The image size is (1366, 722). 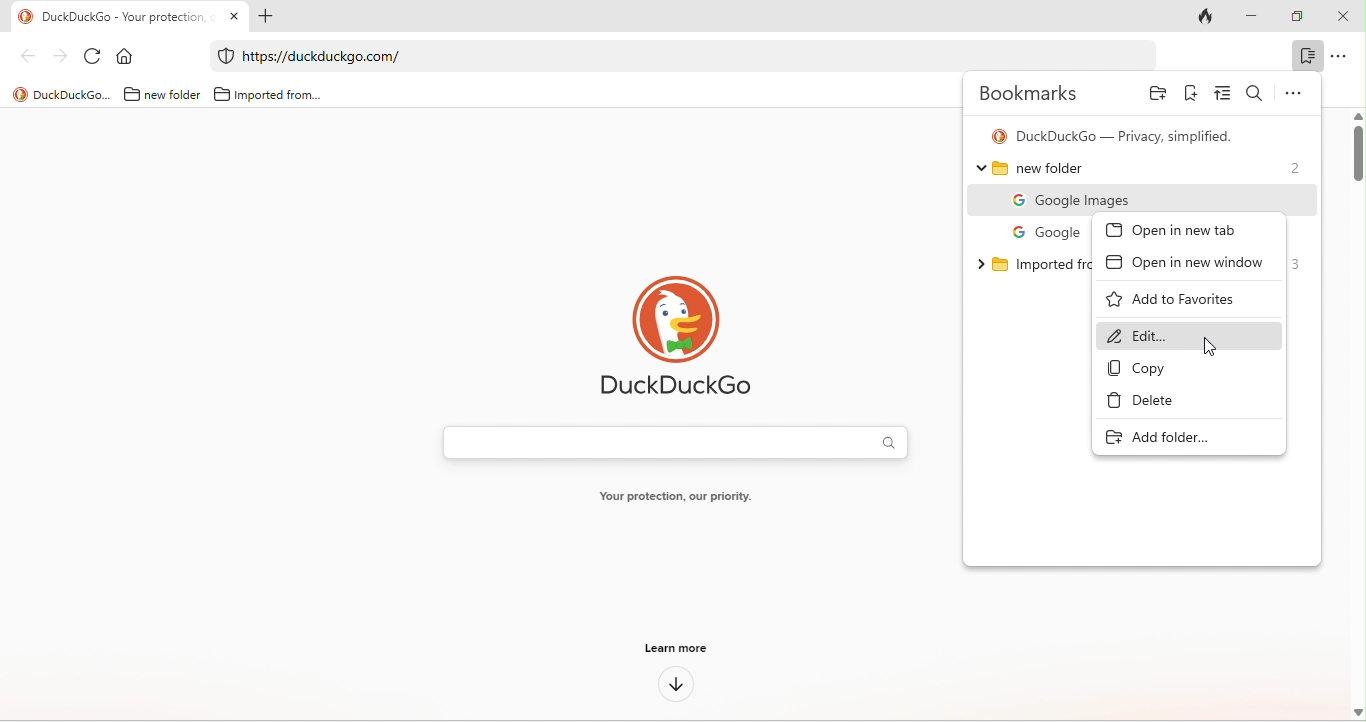 What do you see at coordinates (1150, 367) in the screenshot?
I see `copy` at bounding box center [1150, 367].